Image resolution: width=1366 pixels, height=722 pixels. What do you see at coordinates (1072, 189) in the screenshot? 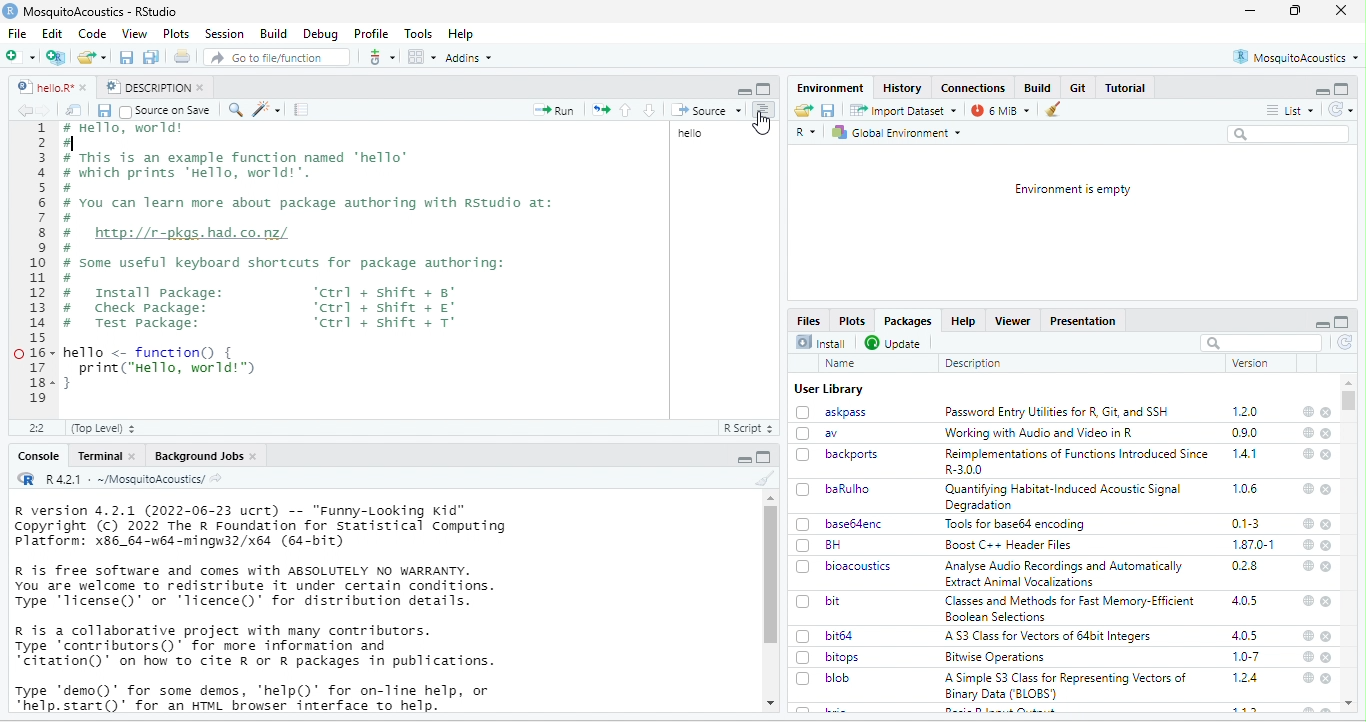
I see `Environment is empty` at bounding box center [1072, 189].